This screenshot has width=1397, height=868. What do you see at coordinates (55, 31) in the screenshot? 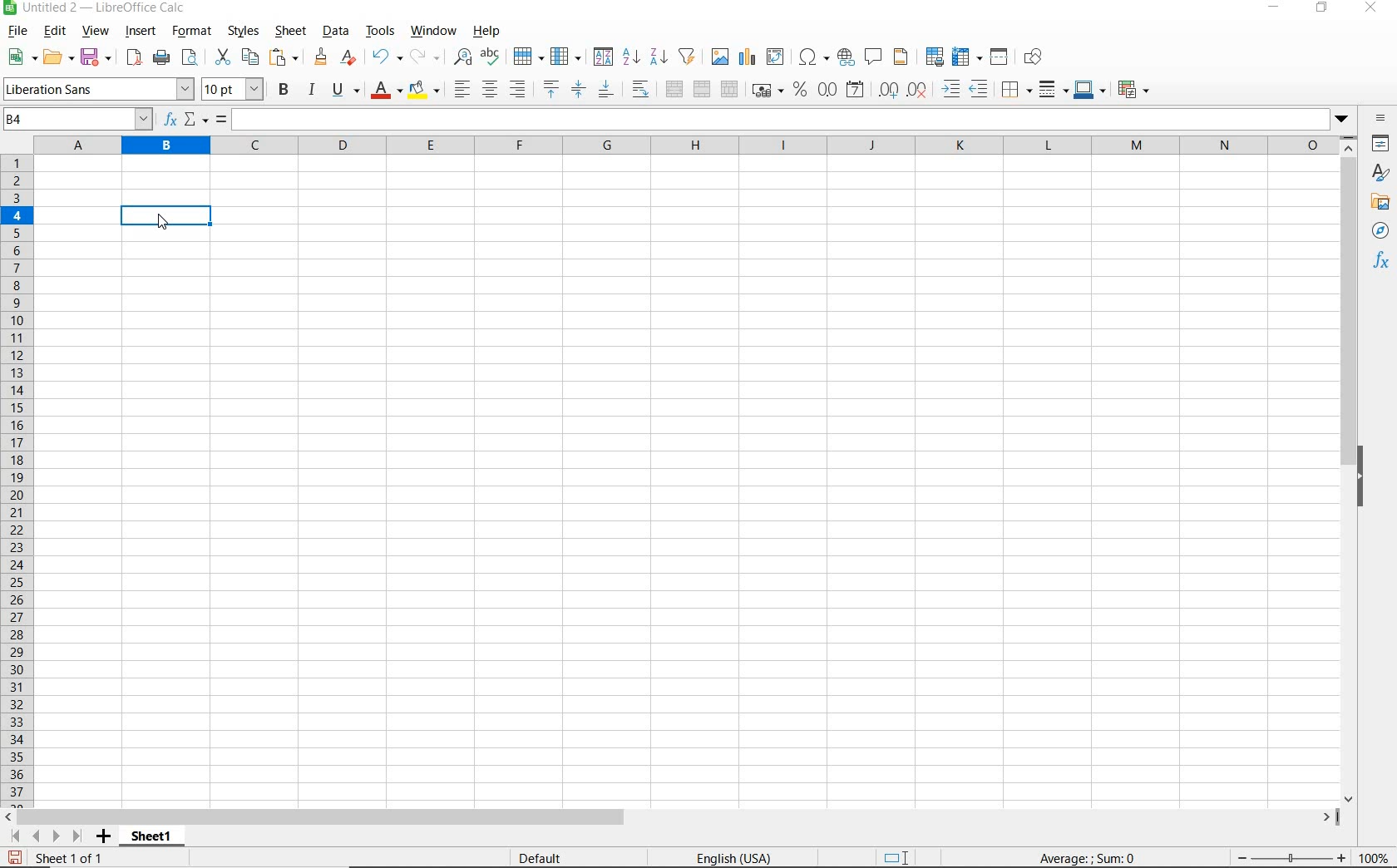
I see `edit` at bounding box center [55, 31].